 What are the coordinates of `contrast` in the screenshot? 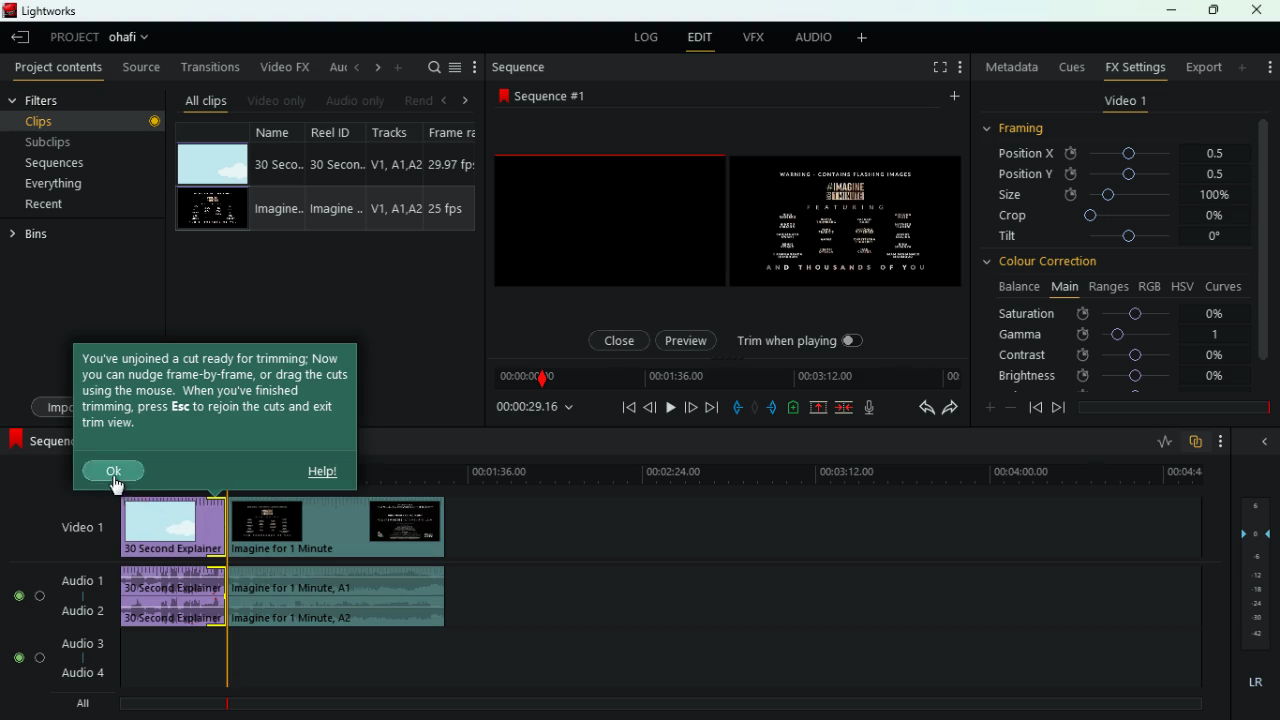 It's located at (1113, 354).